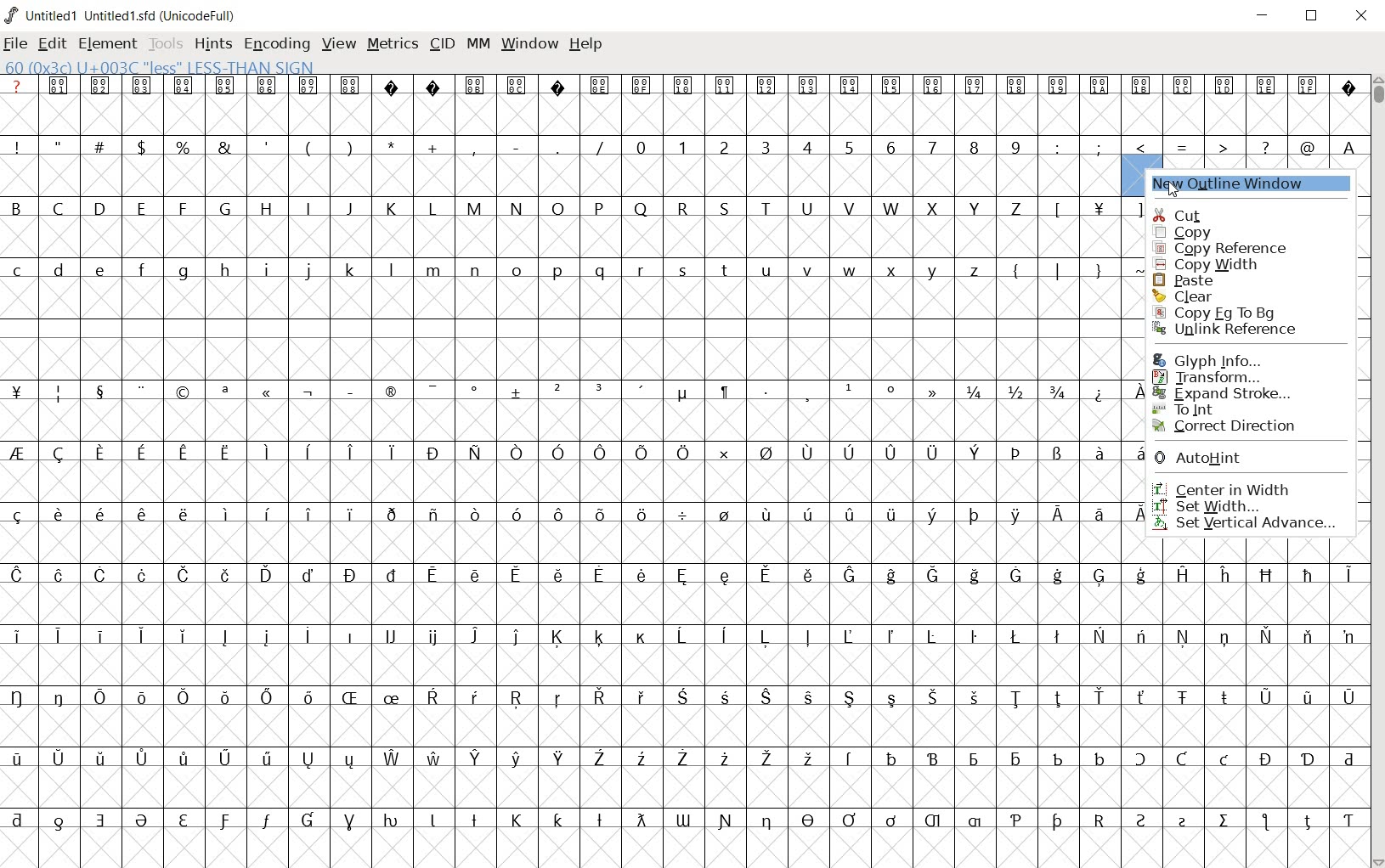 This screenshot has width=1385, height=868. I want to click on copy, so click(1222, 231).